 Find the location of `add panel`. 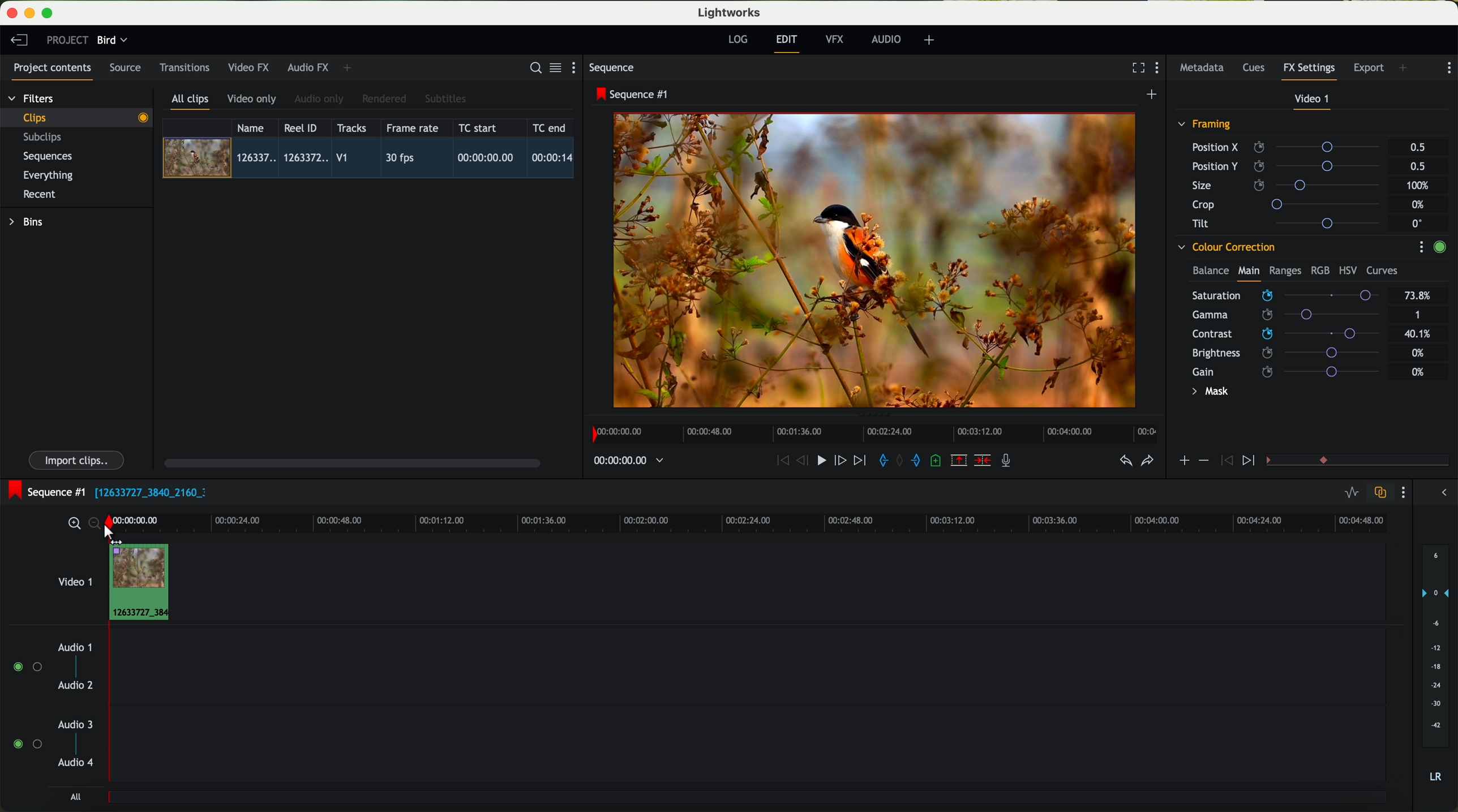

add panel is located at coordinates (1406, 69).